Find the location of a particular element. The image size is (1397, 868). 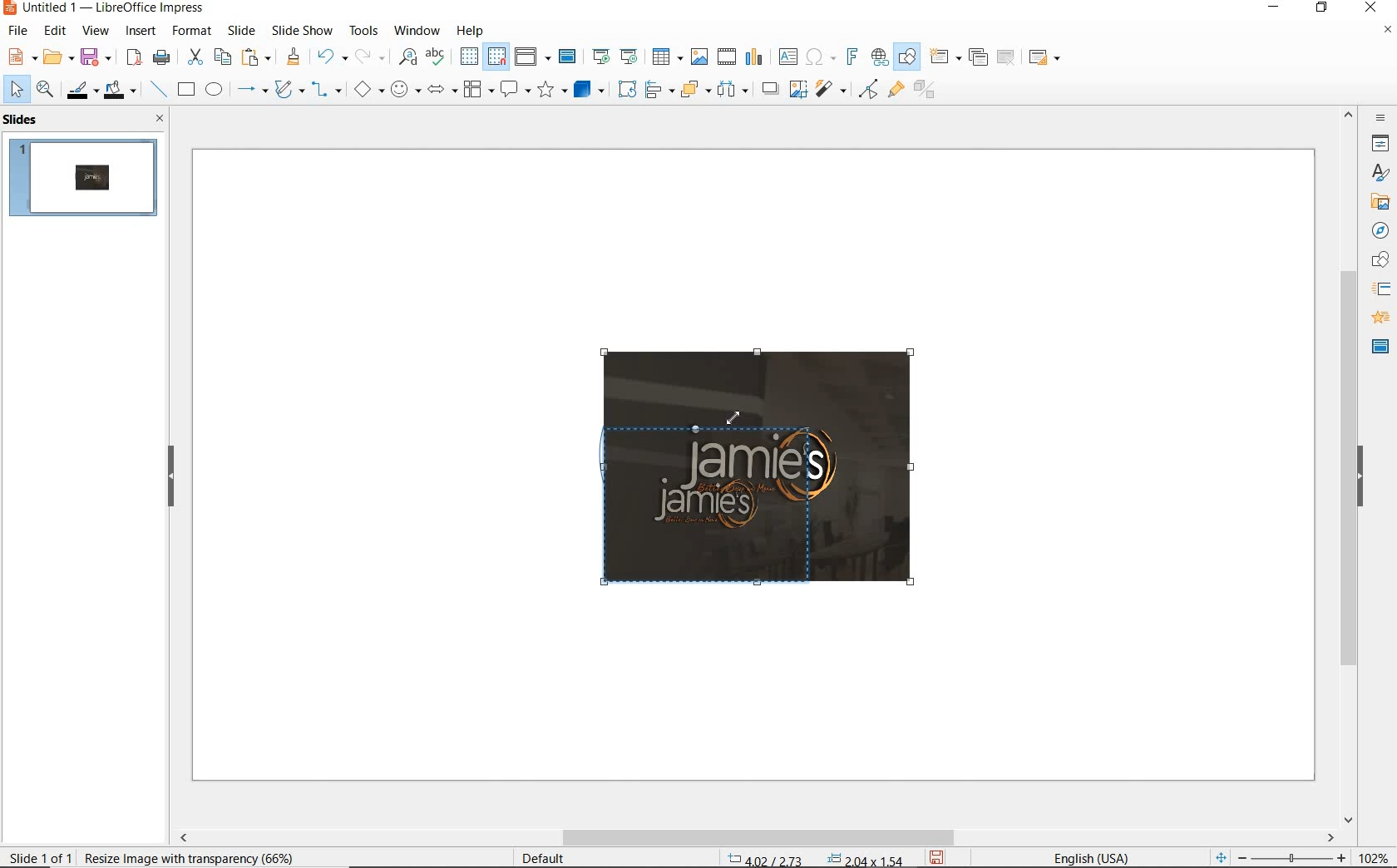

stars and banners is located at coordinates (551, 91).